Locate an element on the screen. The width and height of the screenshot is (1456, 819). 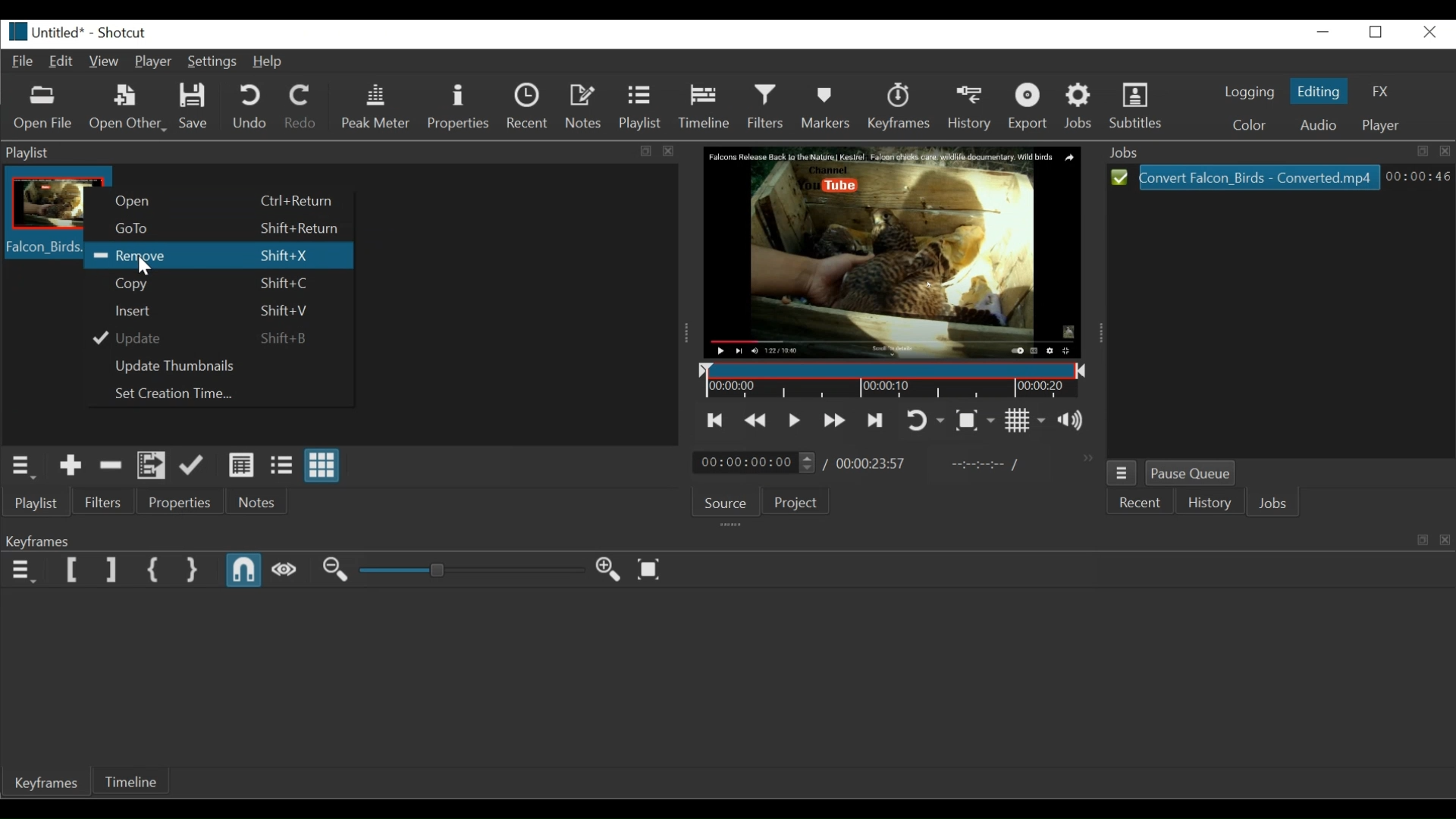
Copy Shift+C is located at coordinates (215, 283).